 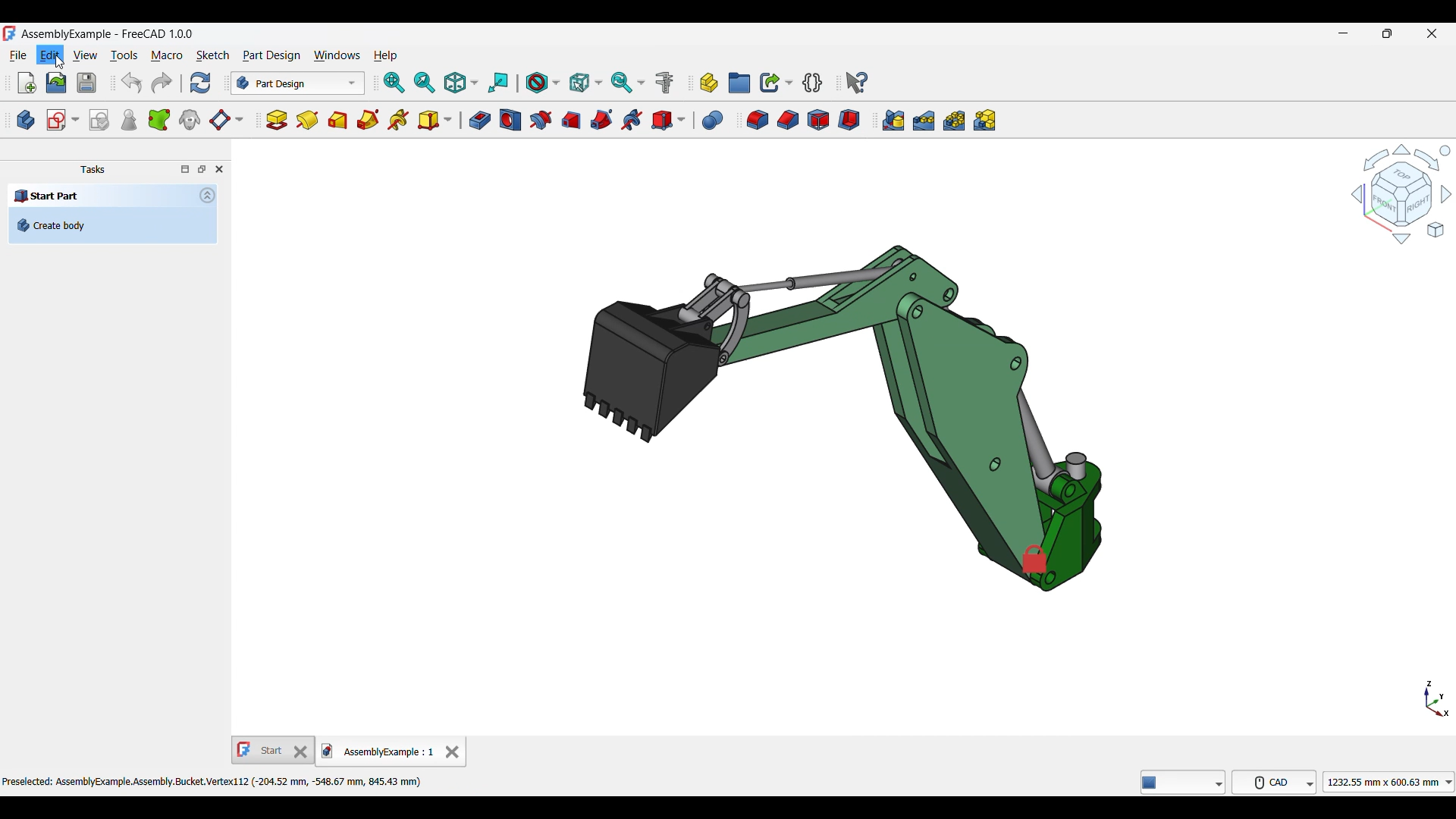 I want to click on Pocket, so click(x=479, y=121).